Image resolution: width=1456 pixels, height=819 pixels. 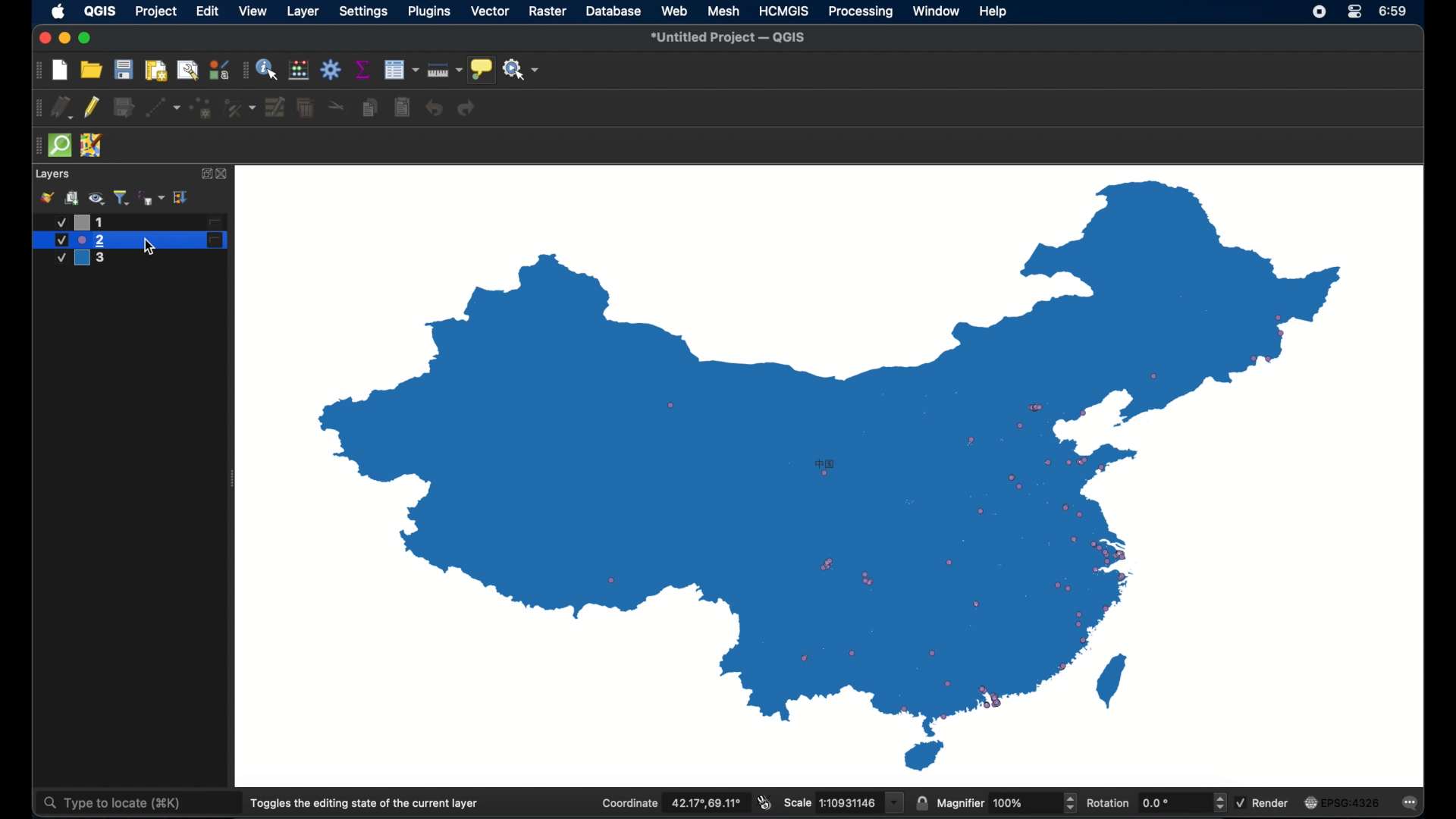 I want to click on expand, so click(x=204, y=174).